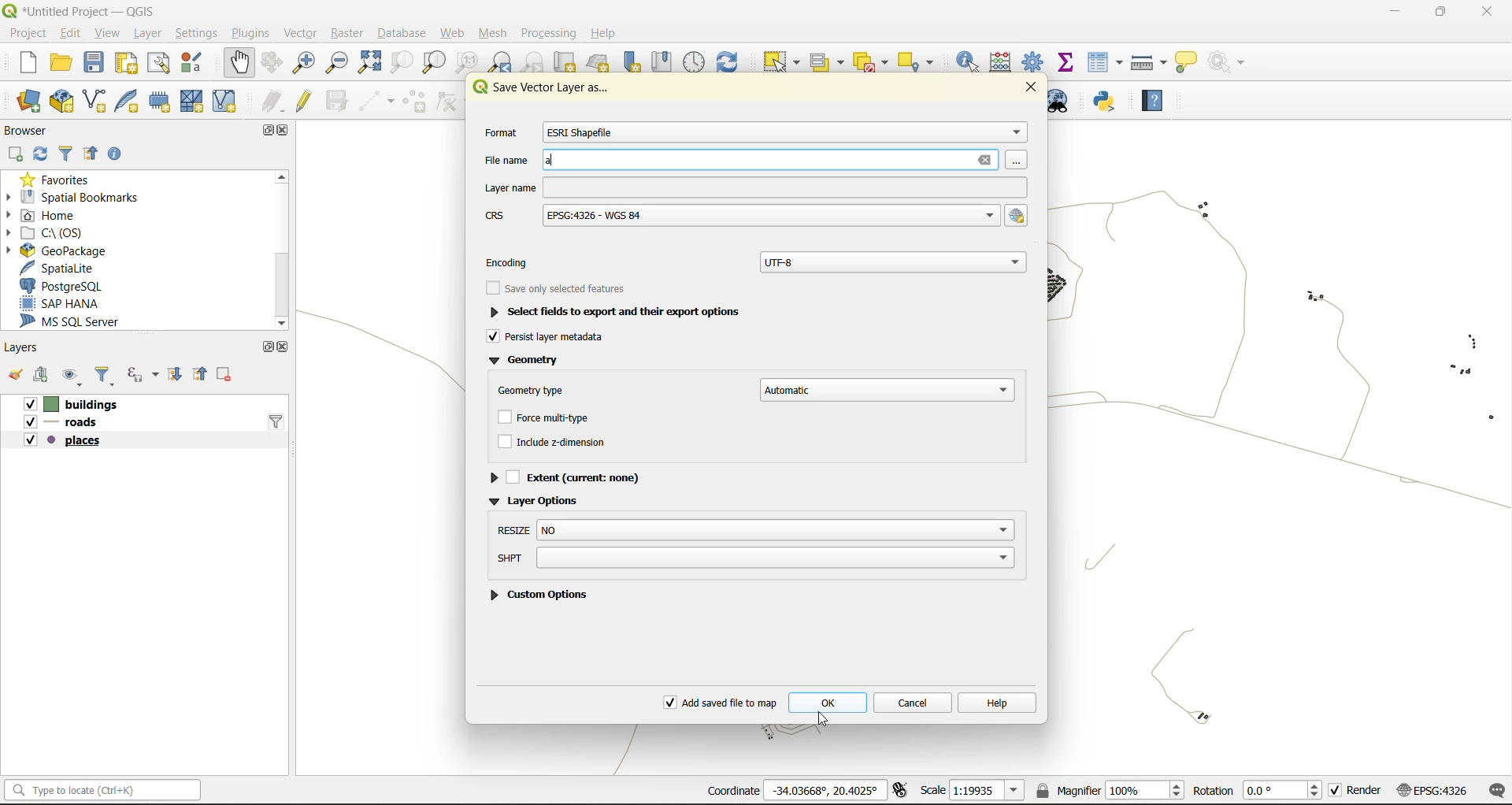  Describe the element at coordinates (303, 33) in the screenshot. I see `vector` at that location.